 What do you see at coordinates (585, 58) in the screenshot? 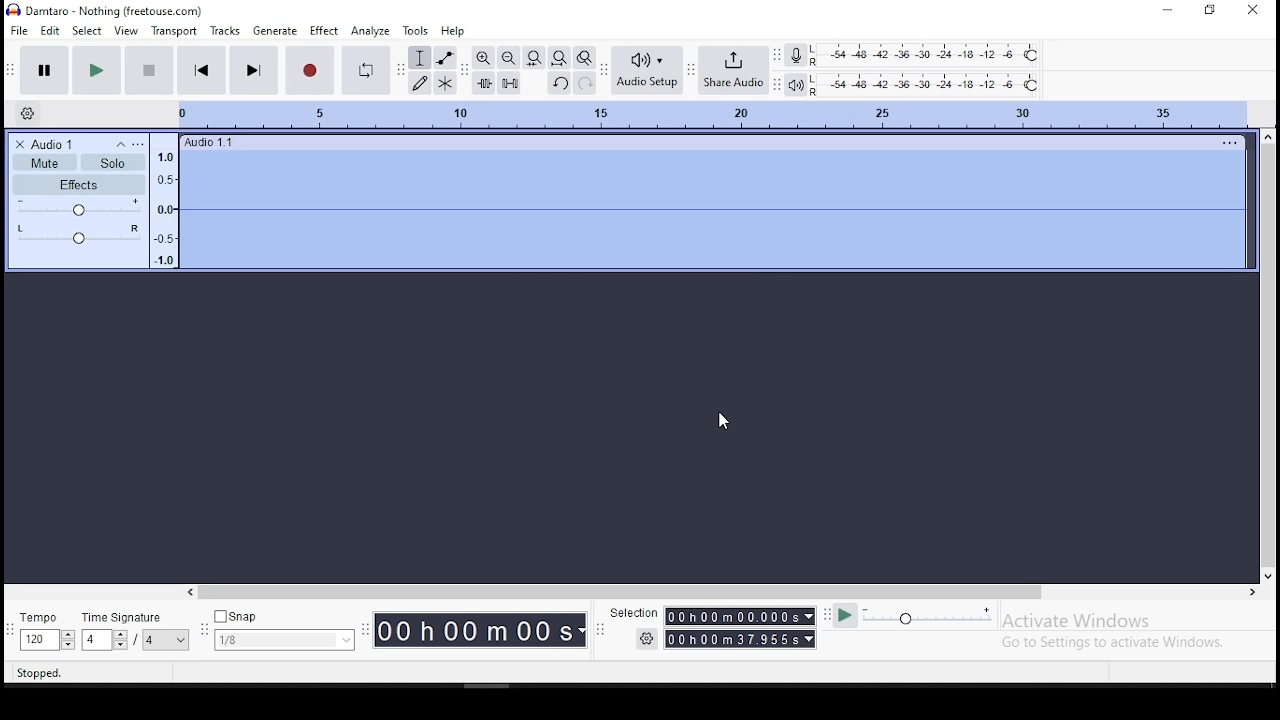
I see `zoom toggle` at bounding box center [585, 58].